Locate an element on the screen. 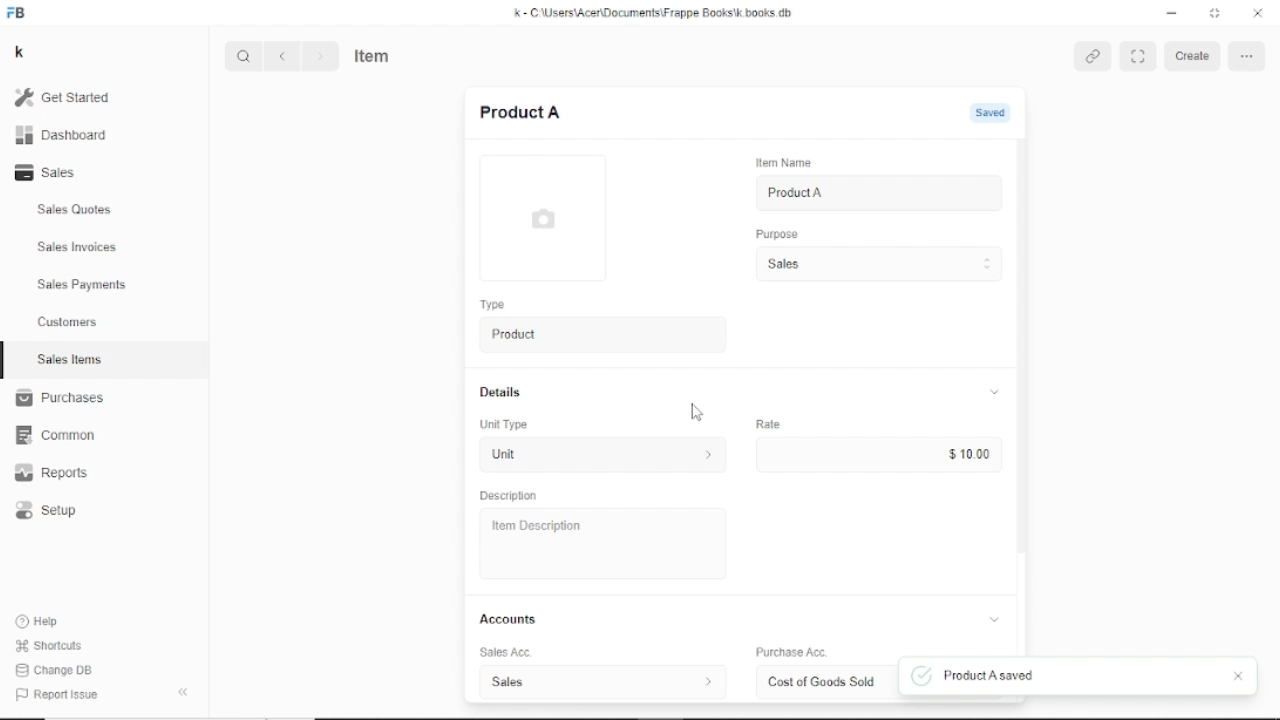  Product is located at coordinates (598, 335).